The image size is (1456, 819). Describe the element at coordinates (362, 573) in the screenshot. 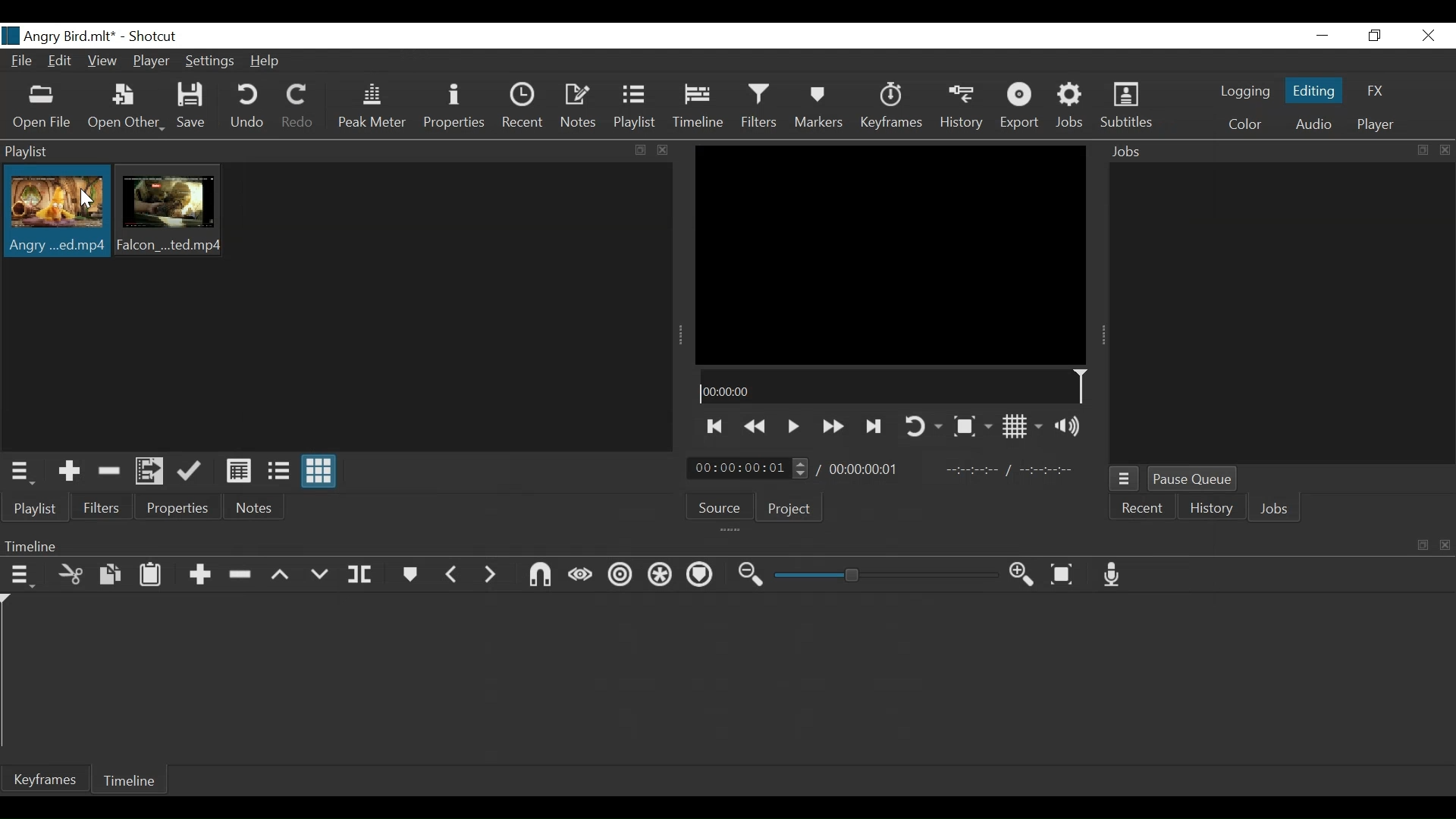

I see `Split at playhead` at that location.